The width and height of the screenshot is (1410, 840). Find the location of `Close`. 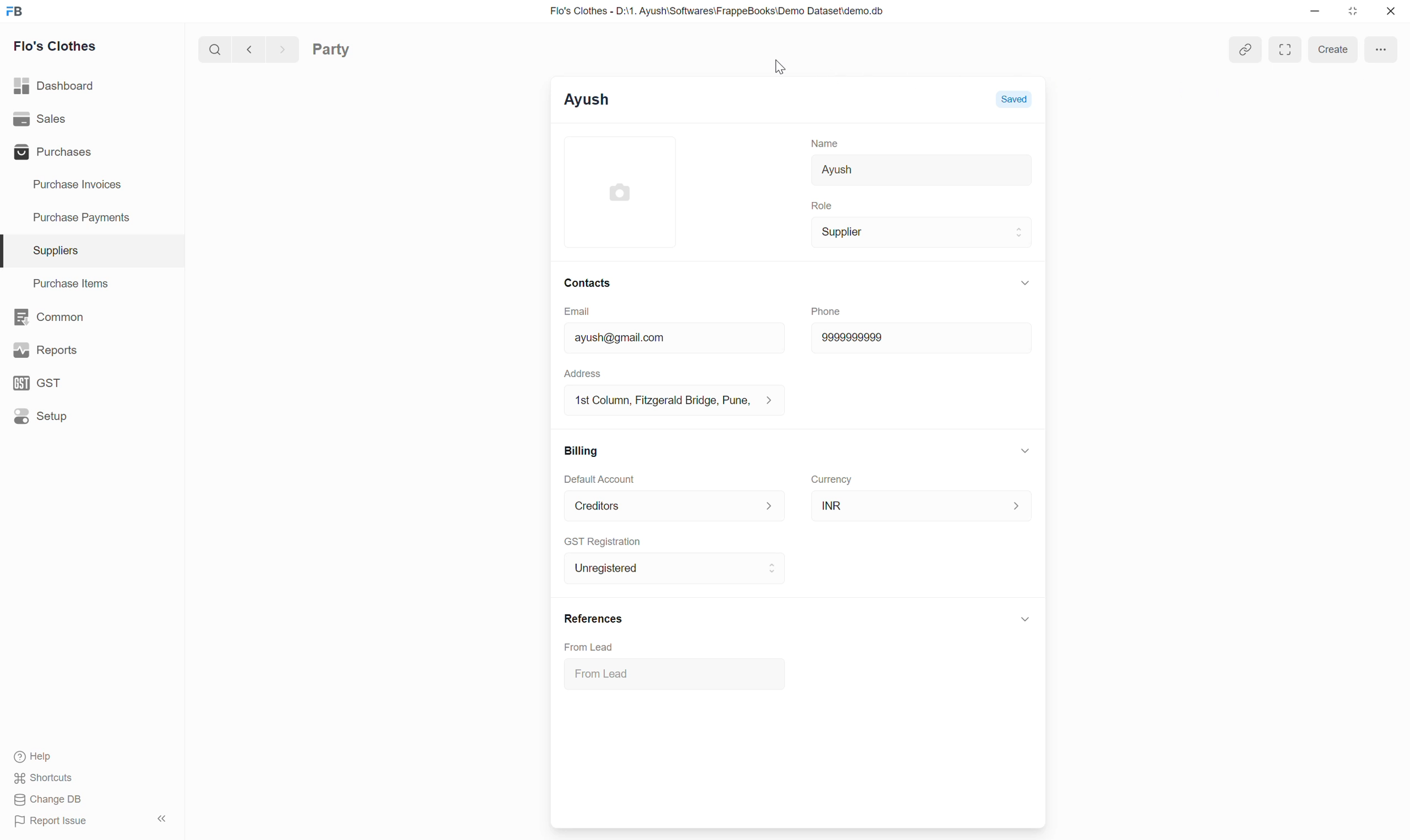

Close is located at coordinates (1391, 11).